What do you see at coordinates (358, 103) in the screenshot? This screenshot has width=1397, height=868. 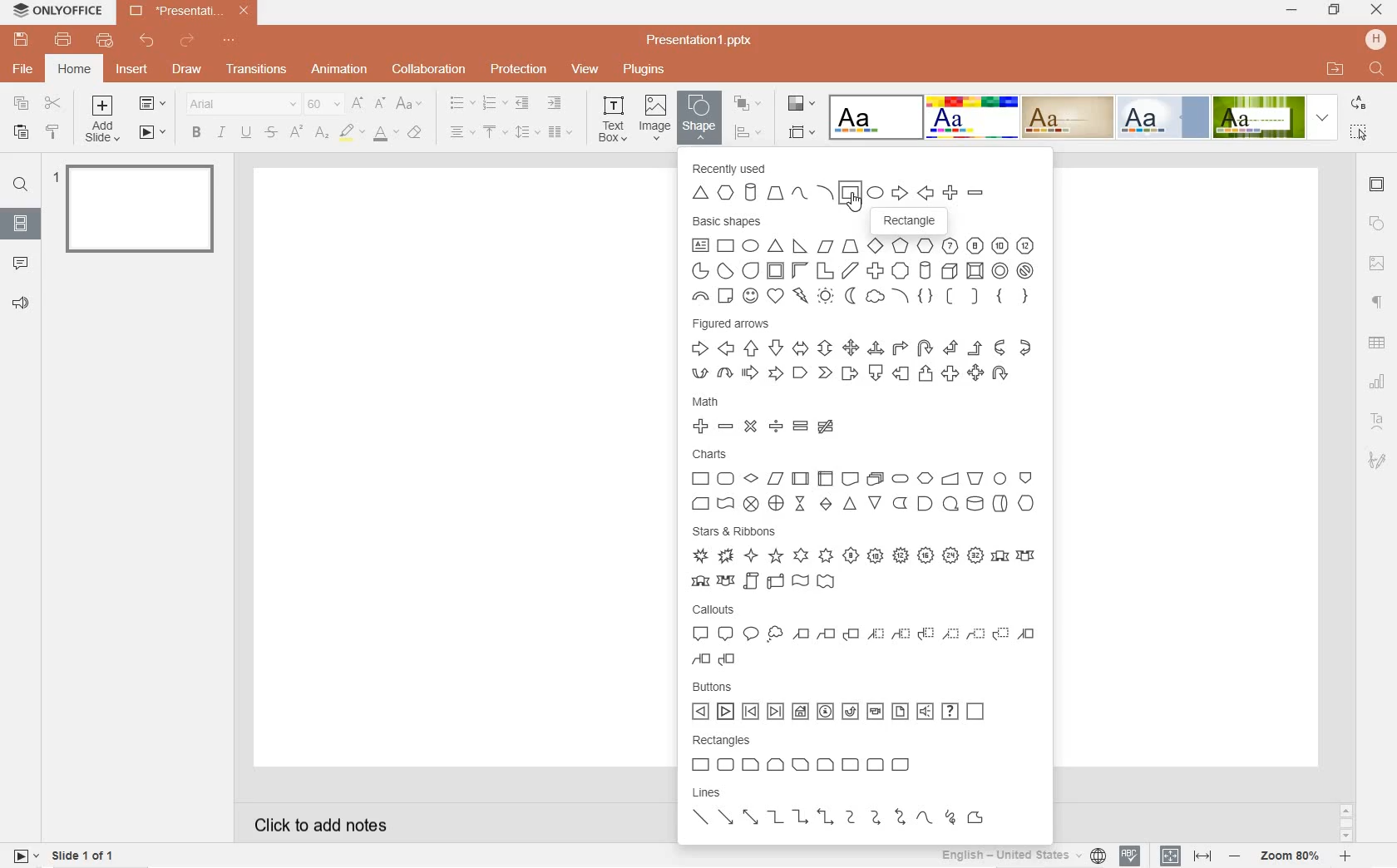 I see `increment font size` at bounding box center [358, 103].